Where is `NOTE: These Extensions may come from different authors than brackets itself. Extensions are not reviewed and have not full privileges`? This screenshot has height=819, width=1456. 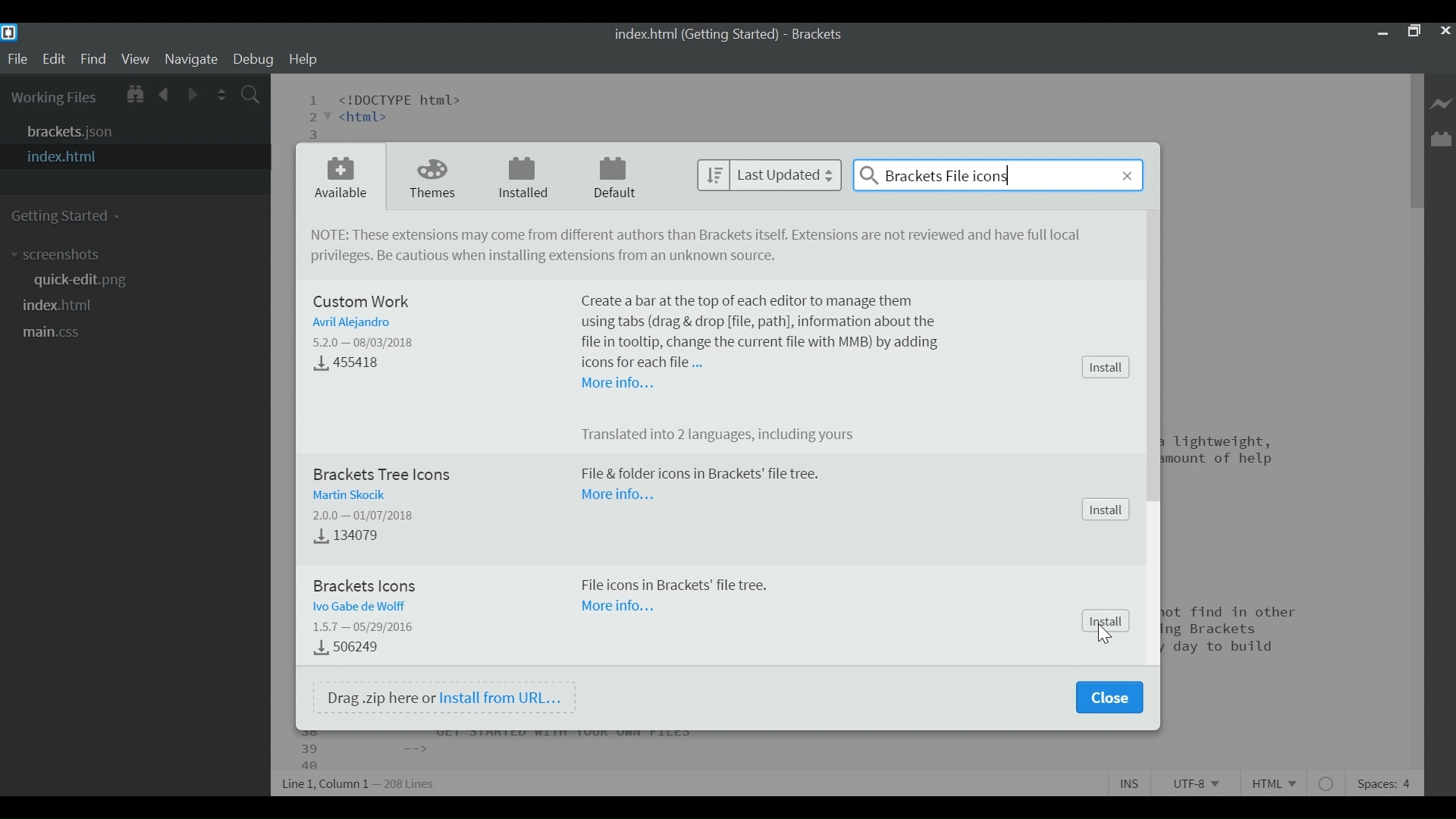
NOTE: These Extensions may come from different authors than brackets itself. Extensions are not reviewed and have not full privileges is located at coordinates (701, 236).